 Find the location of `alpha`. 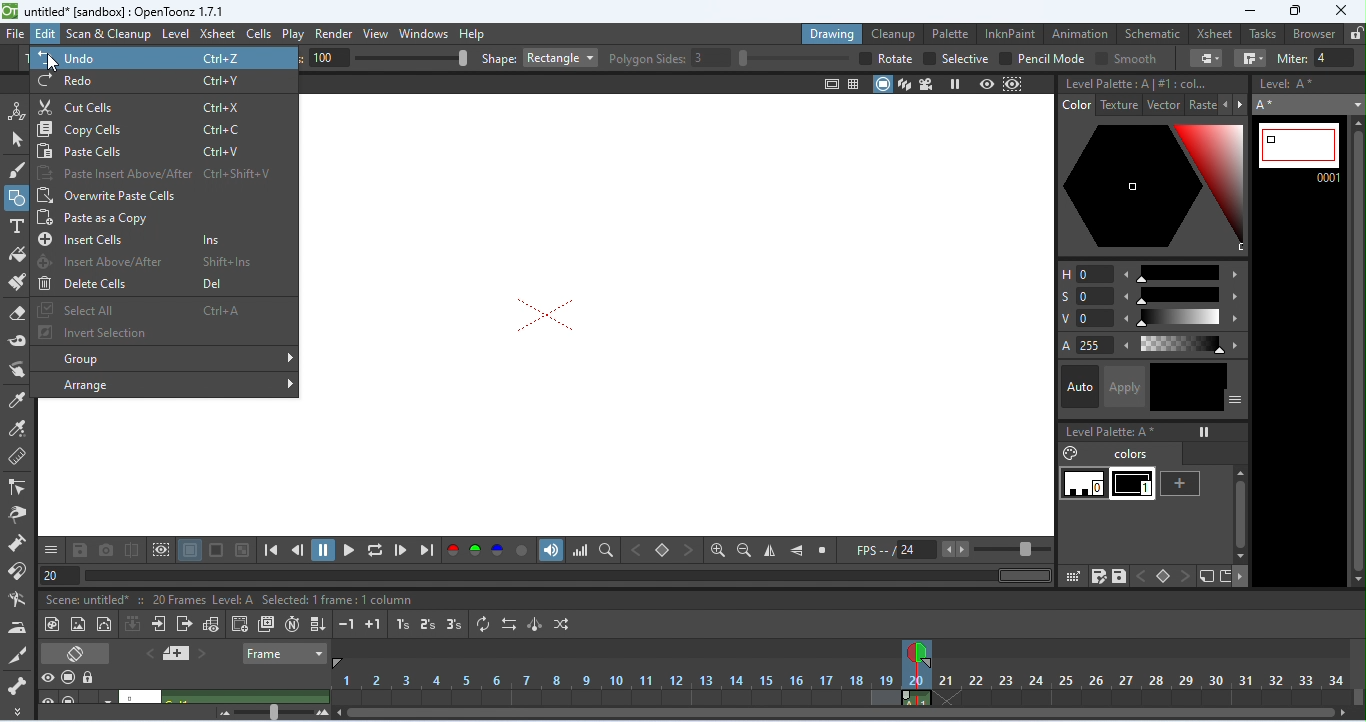

alpha is located at coordinates (1149, 347).